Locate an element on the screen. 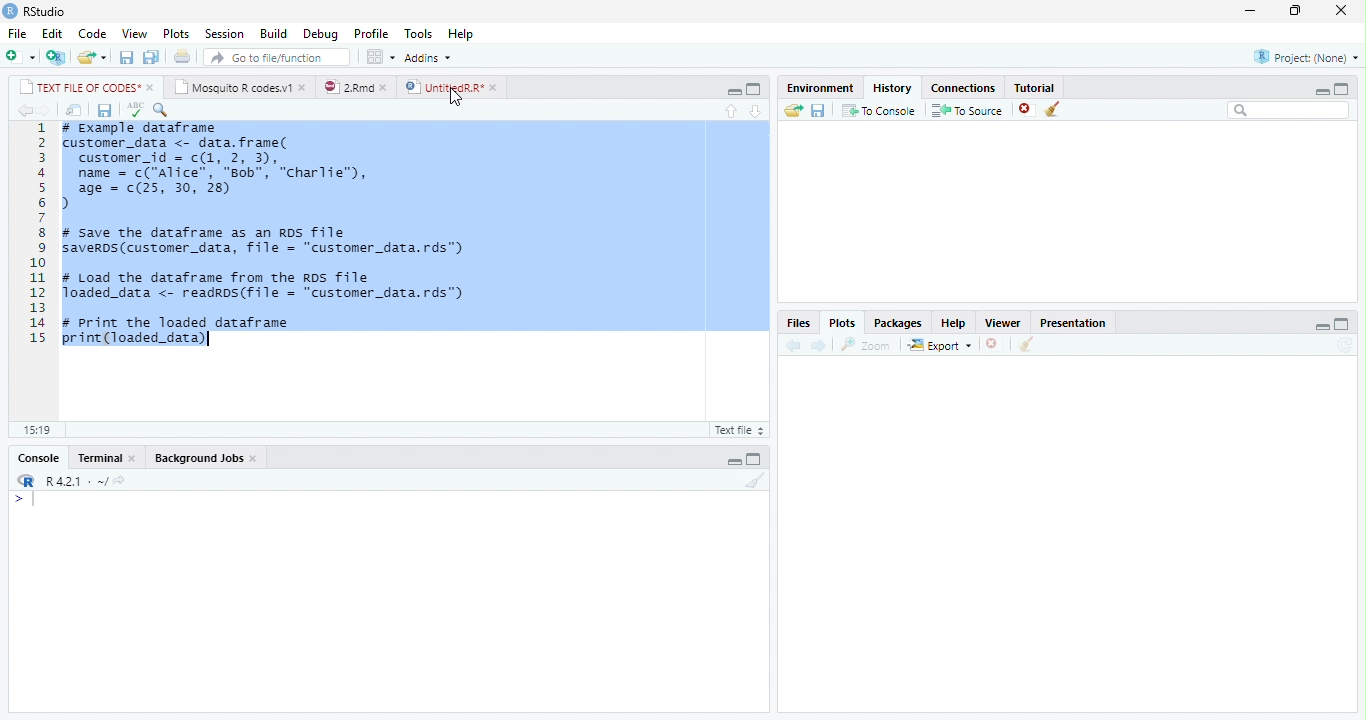 This screenshot has width=1366, height=720. search is located at coordinates (1289, 110).